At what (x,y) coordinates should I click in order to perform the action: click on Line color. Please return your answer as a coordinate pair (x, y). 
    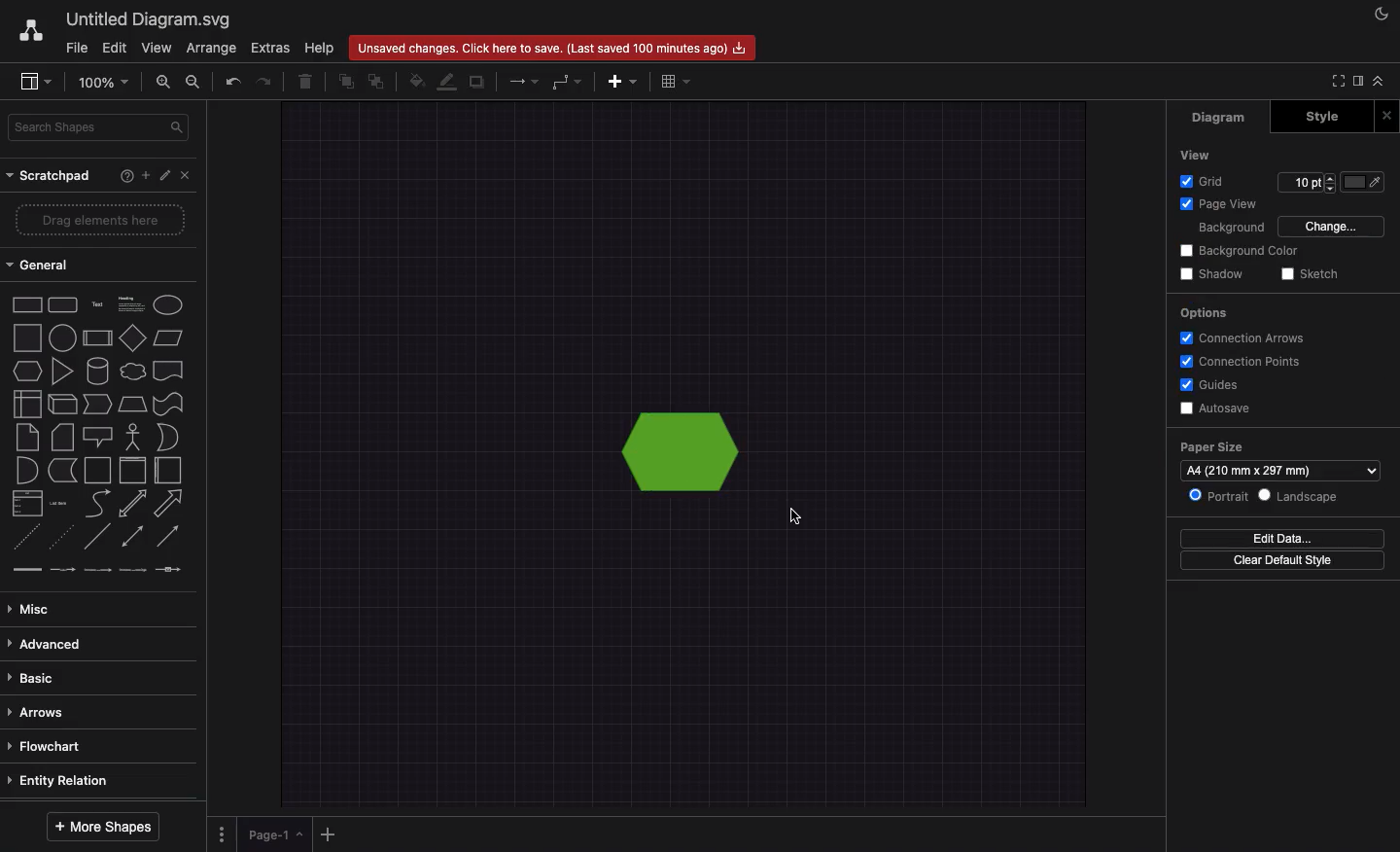
    Looking at the image, I should click on (448, 83).